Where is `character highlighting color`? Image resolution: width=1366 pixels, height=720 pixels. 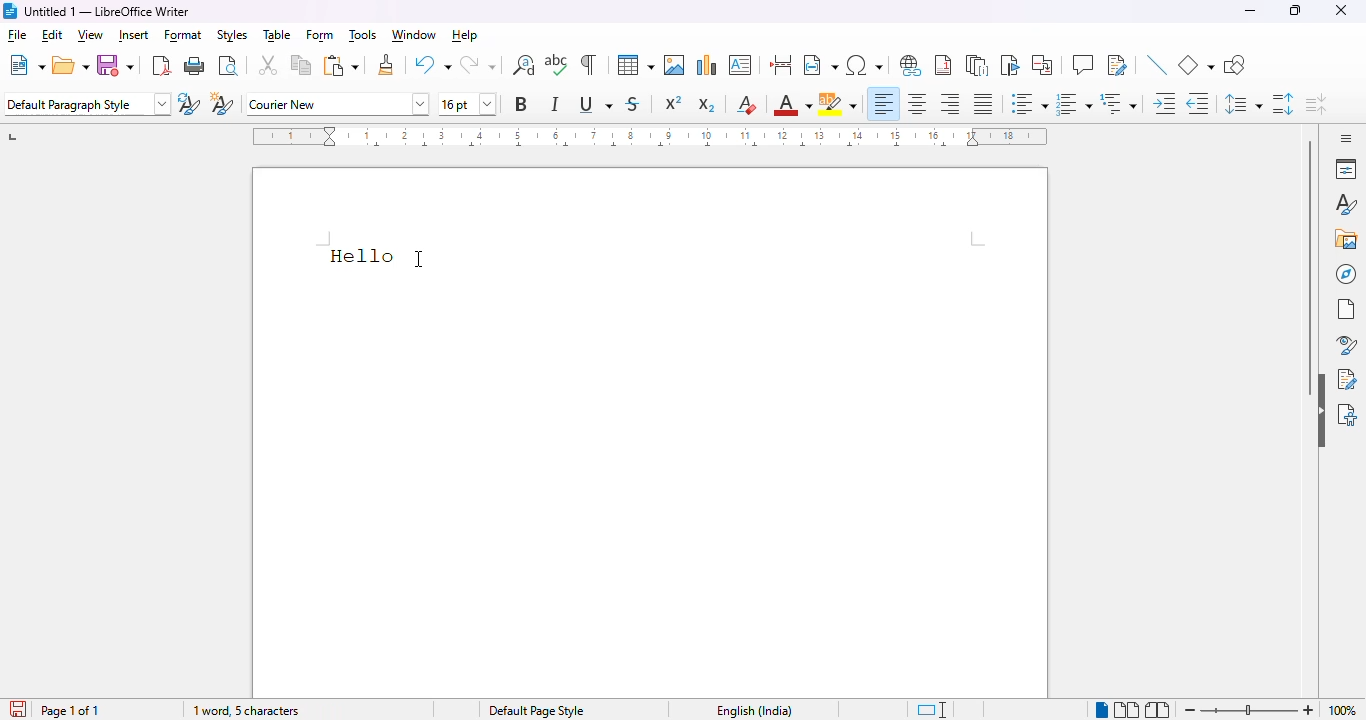 character highlighting color is located at coordinates (838, 103).